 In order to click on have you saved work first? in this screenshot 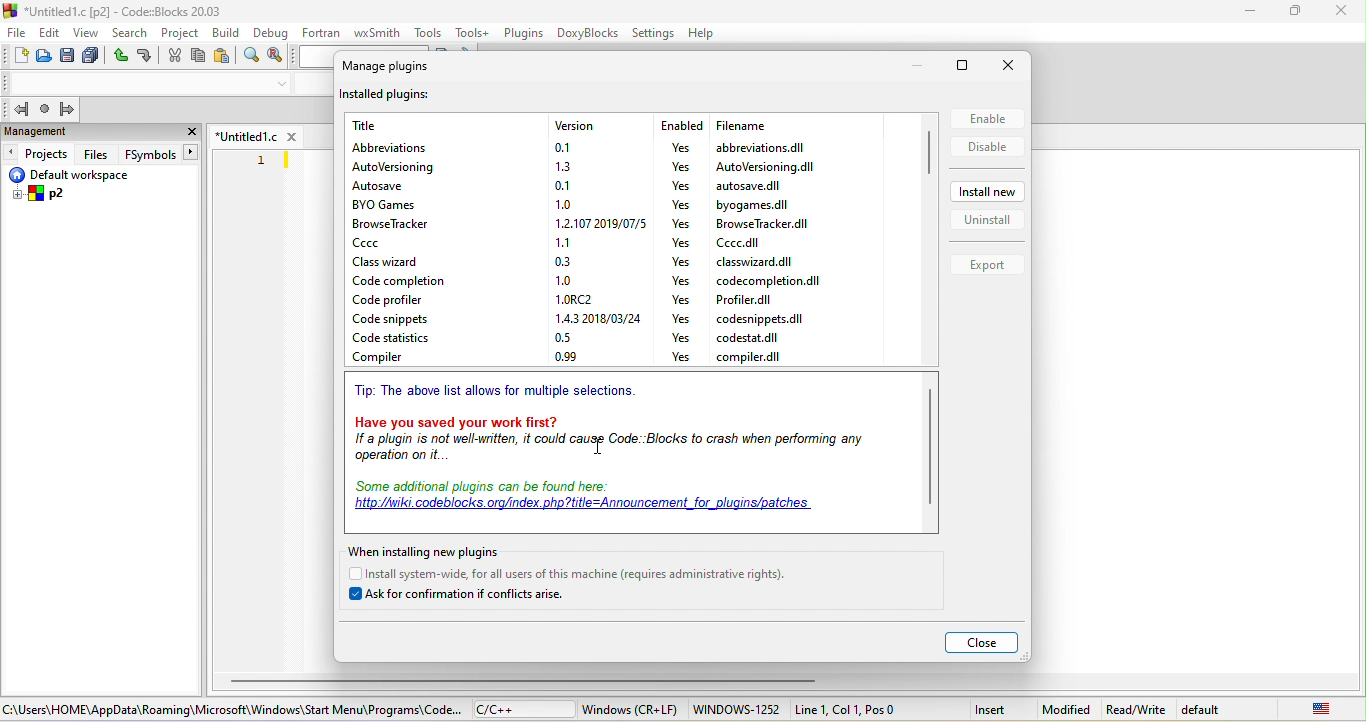, I will do `click(619, 424)`.